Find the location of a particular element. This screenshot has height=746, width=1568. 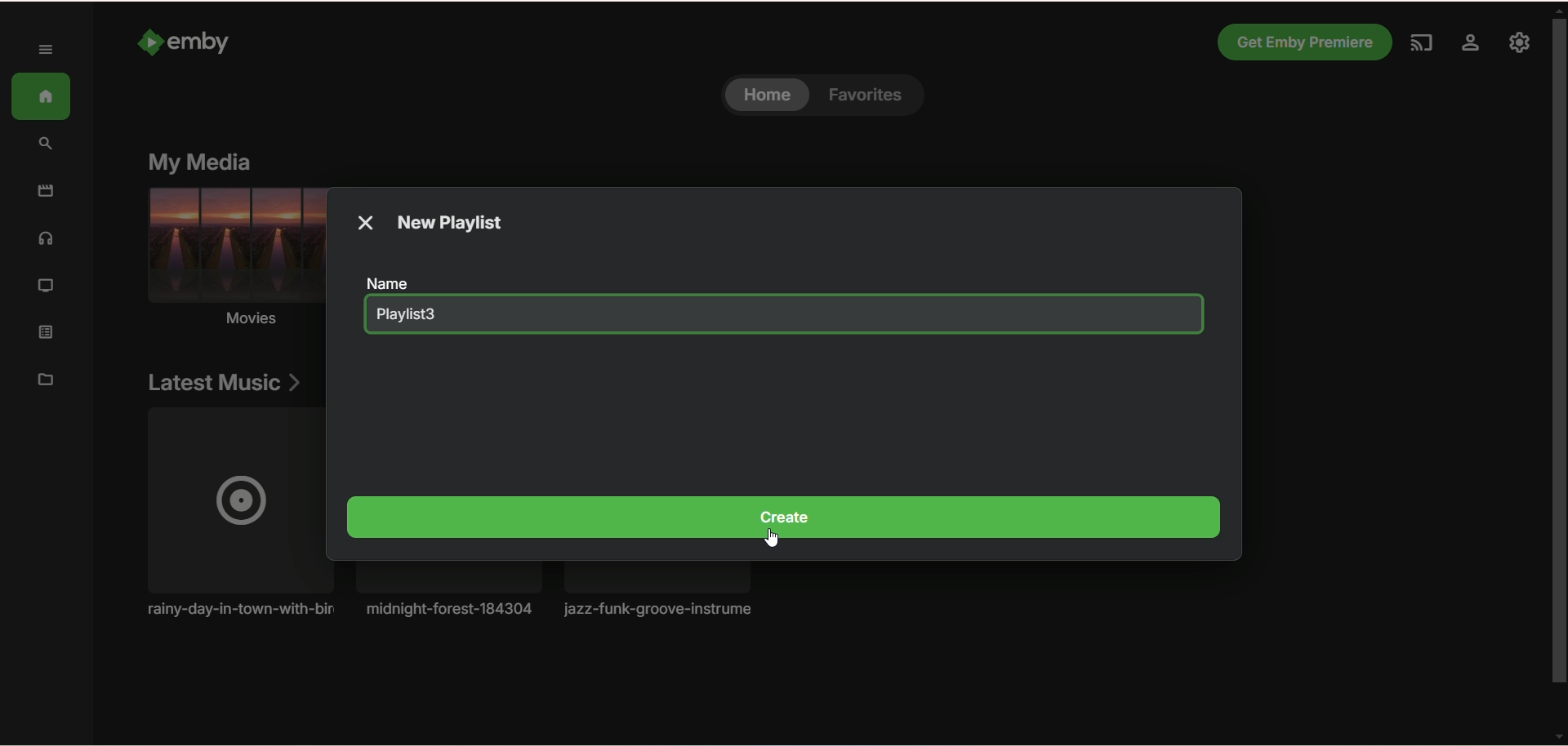

playlist is located at coordinates (51, 334).